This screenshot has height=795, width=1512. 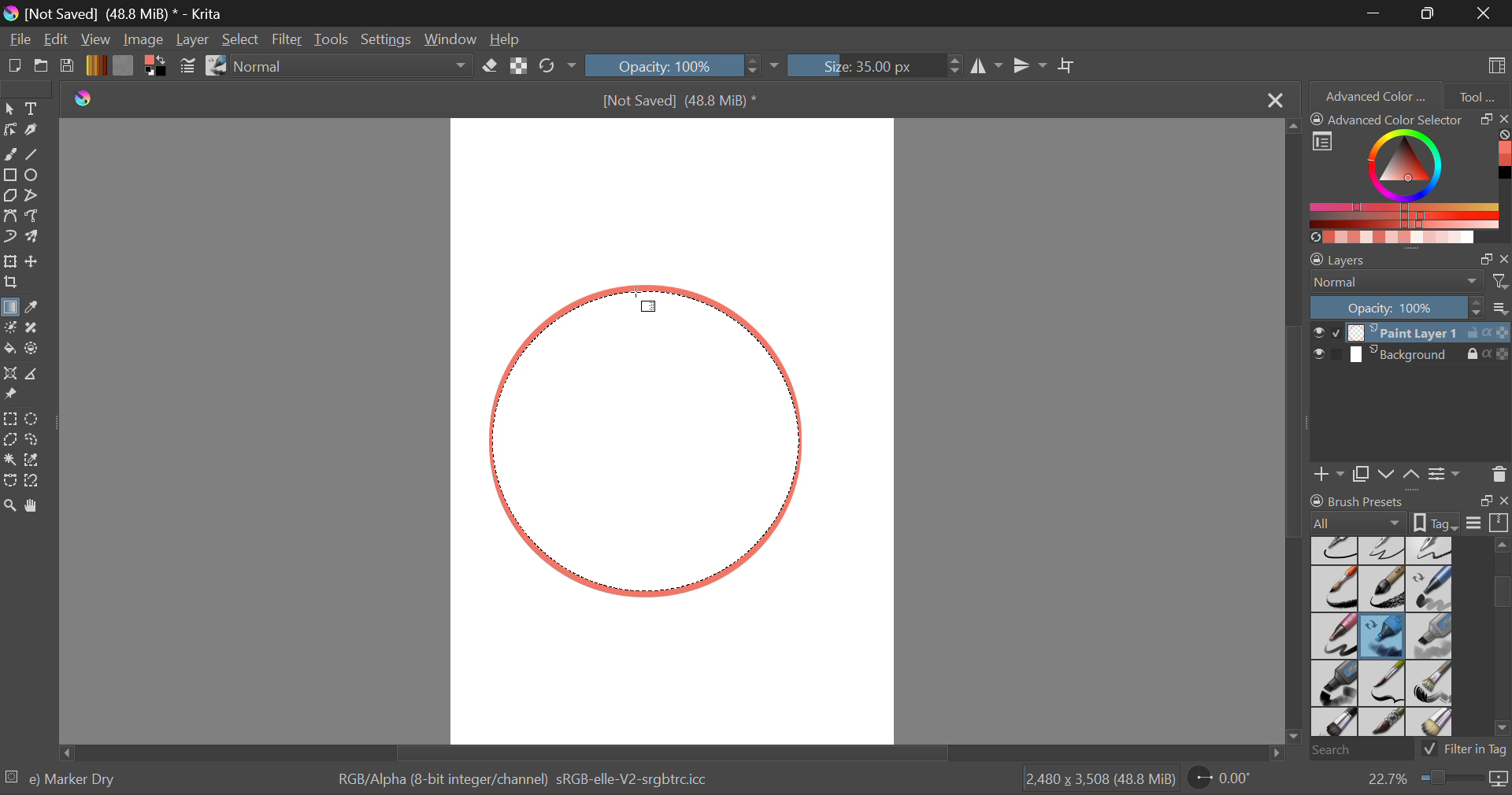 I want to click on Assistant Tool, so click(x=11, y=375).